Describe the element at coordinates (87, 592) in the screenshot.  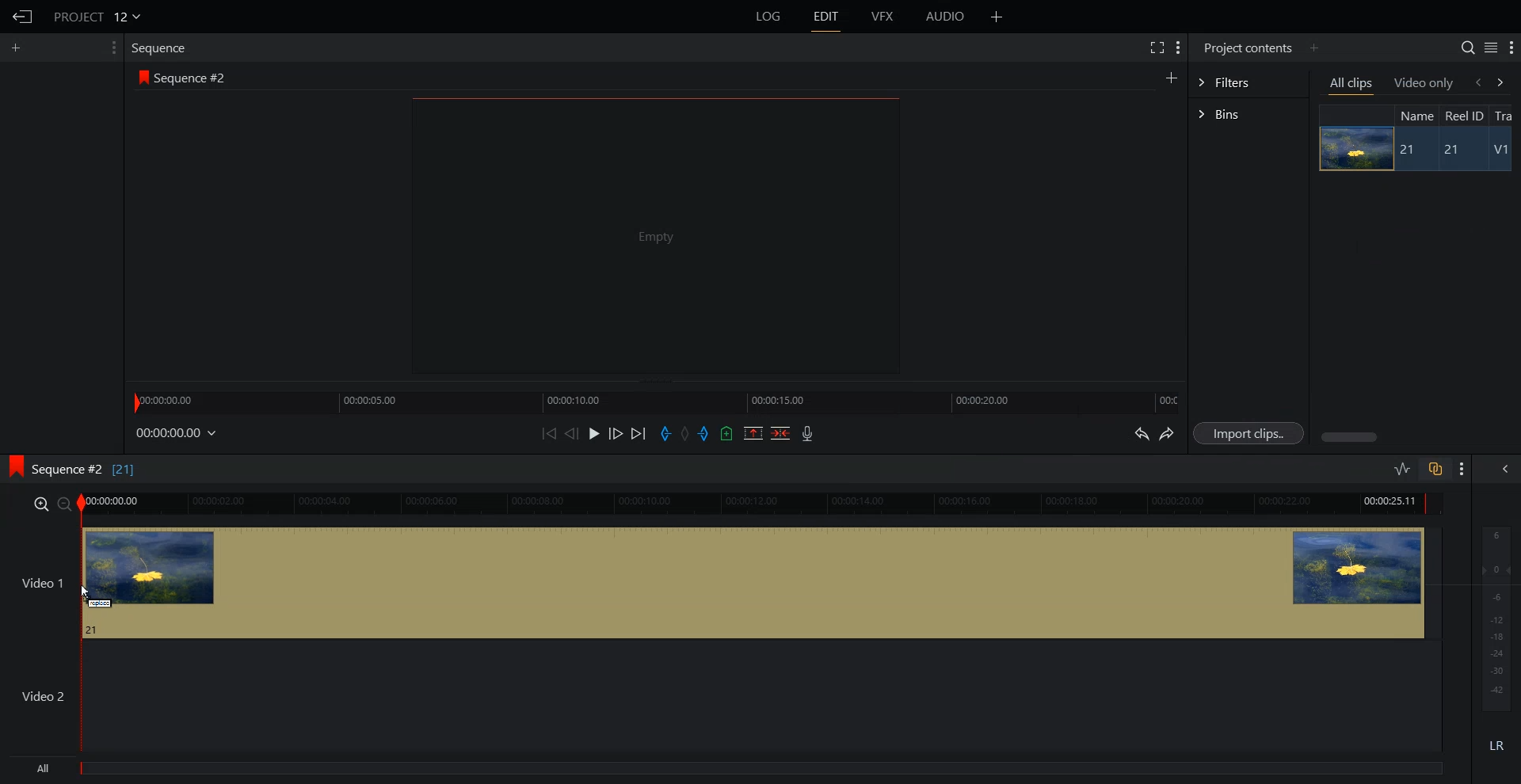
I see `Cursor` at that location.